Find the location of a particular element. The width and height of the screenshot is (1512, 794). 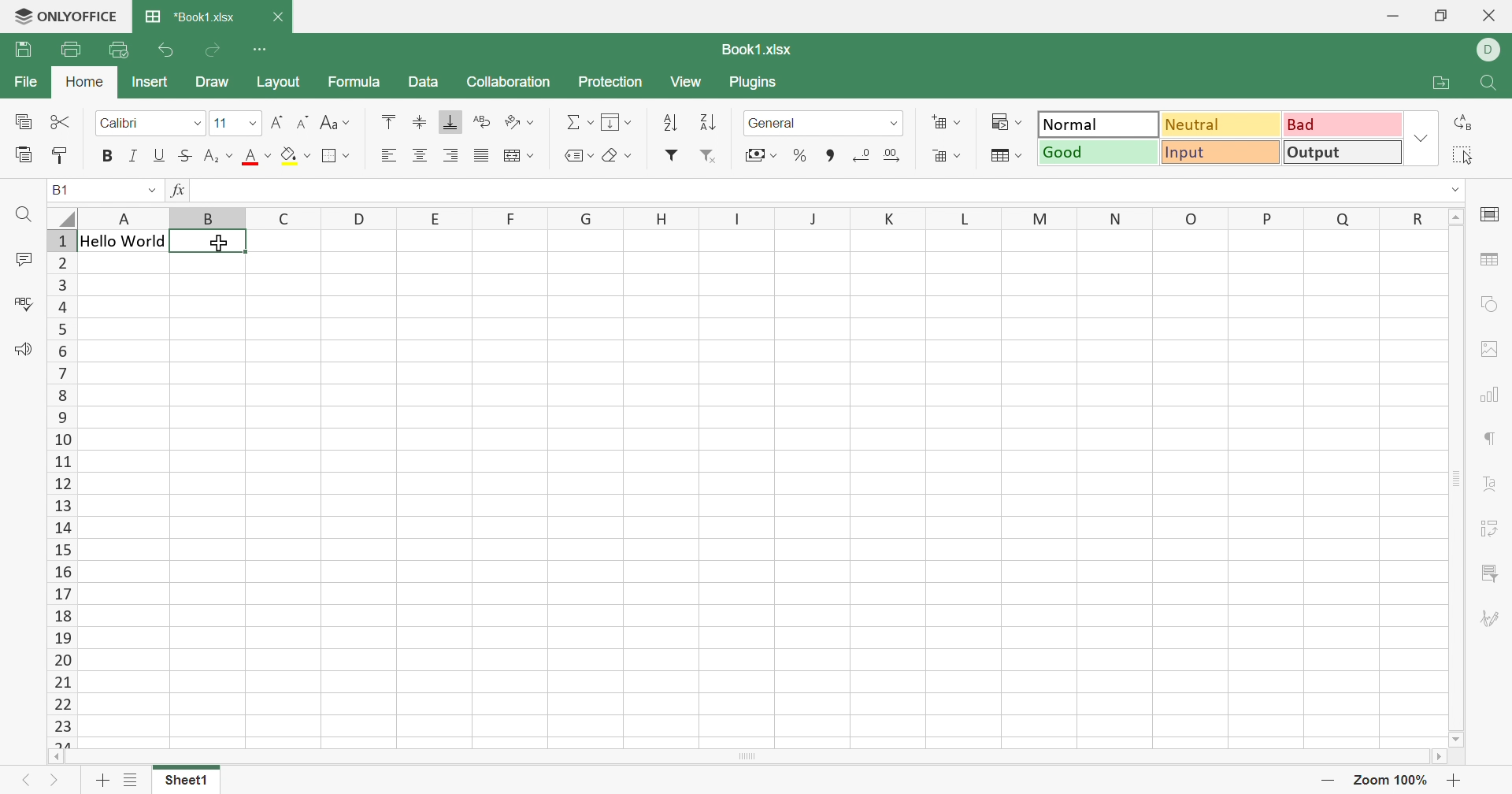

Sort ascending is located at coordinates (671, 123).